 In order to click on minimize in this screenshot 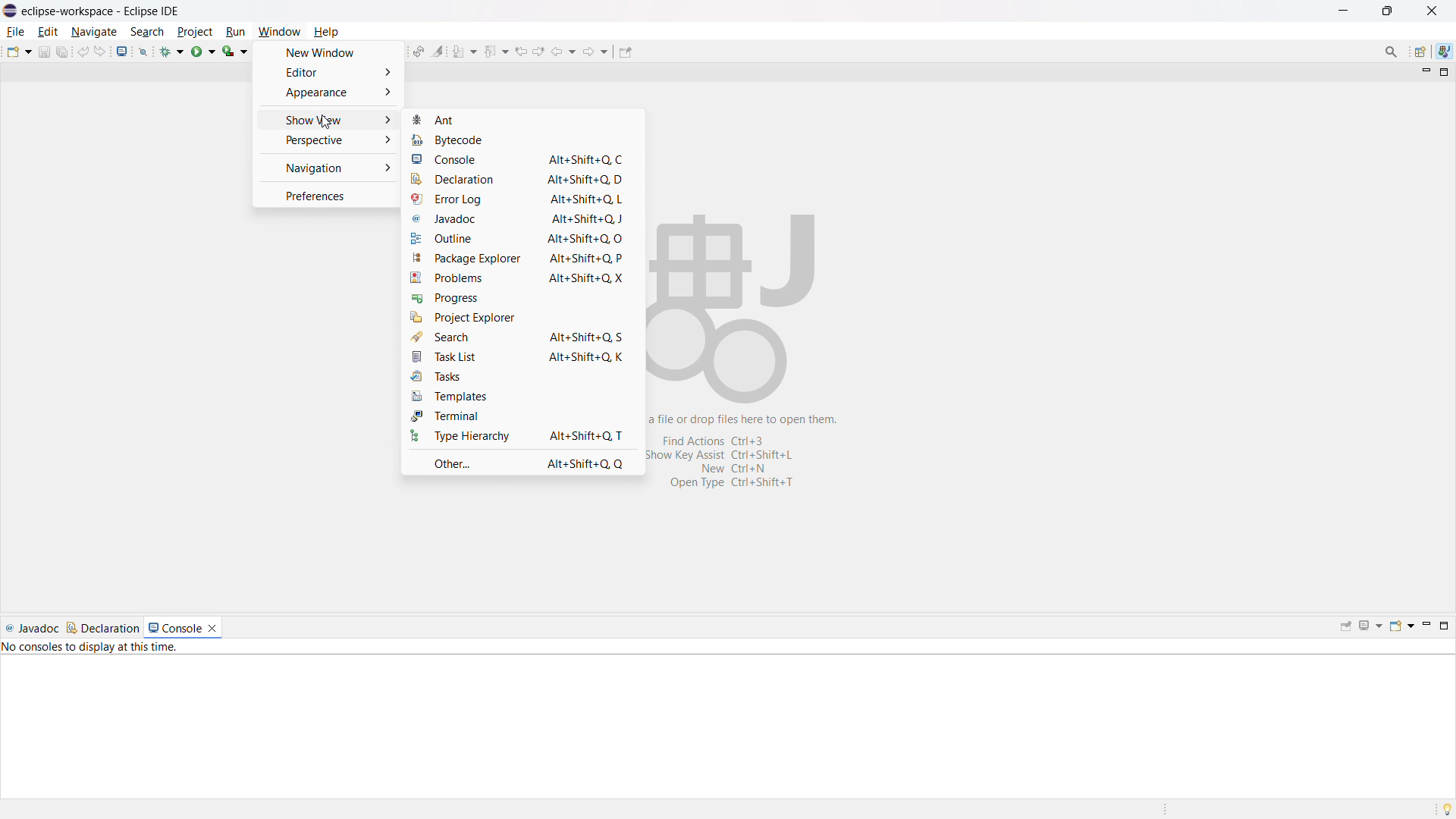, I will do `click(1424, 71)`.